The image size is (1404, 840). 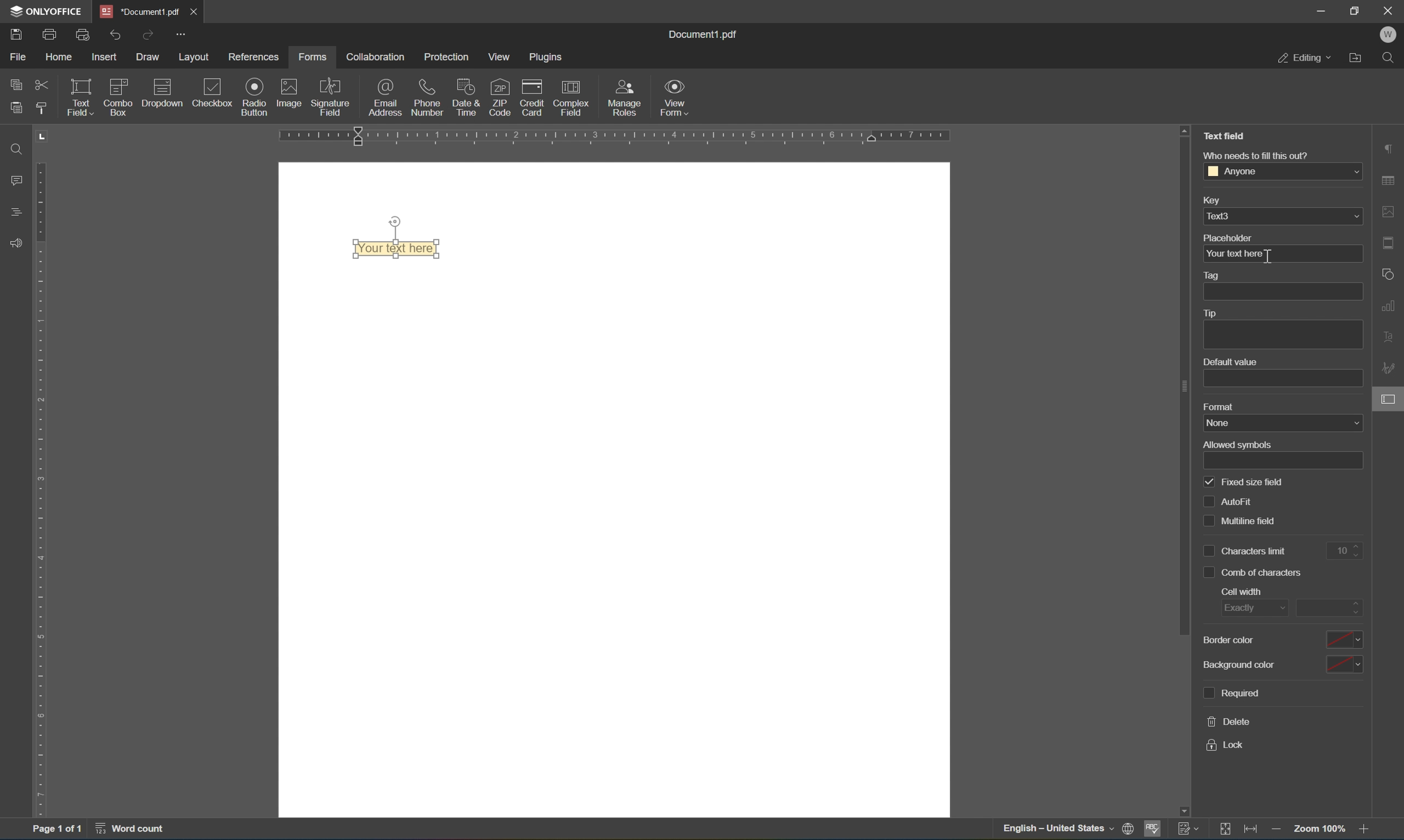 What do you see at coordinates (11, 35) in the screenshot?
I see `save` at bounding box center [11, 35].